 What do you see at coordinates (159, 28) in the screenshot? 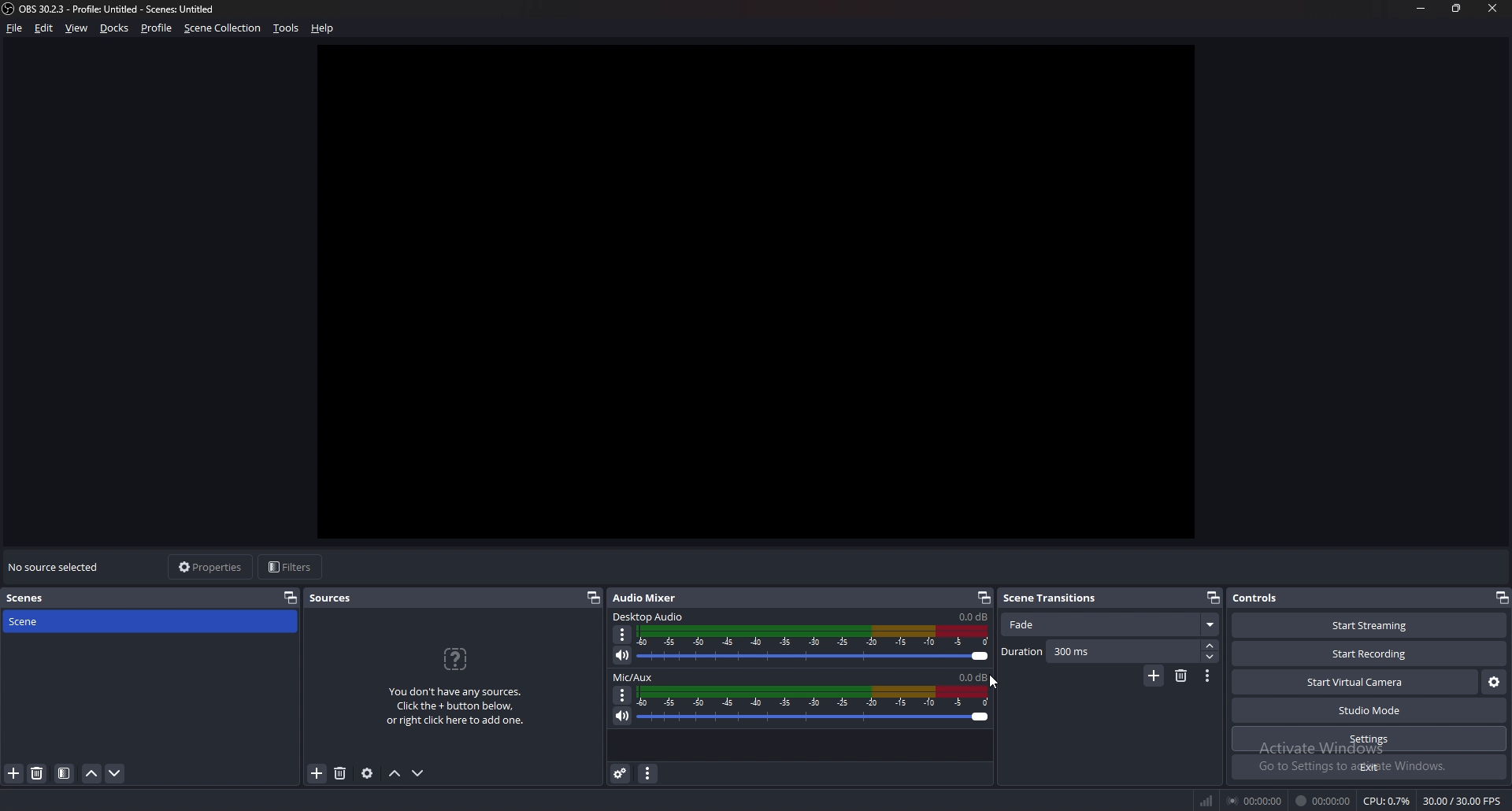
I see `profile` at bounding box center [159, 28].